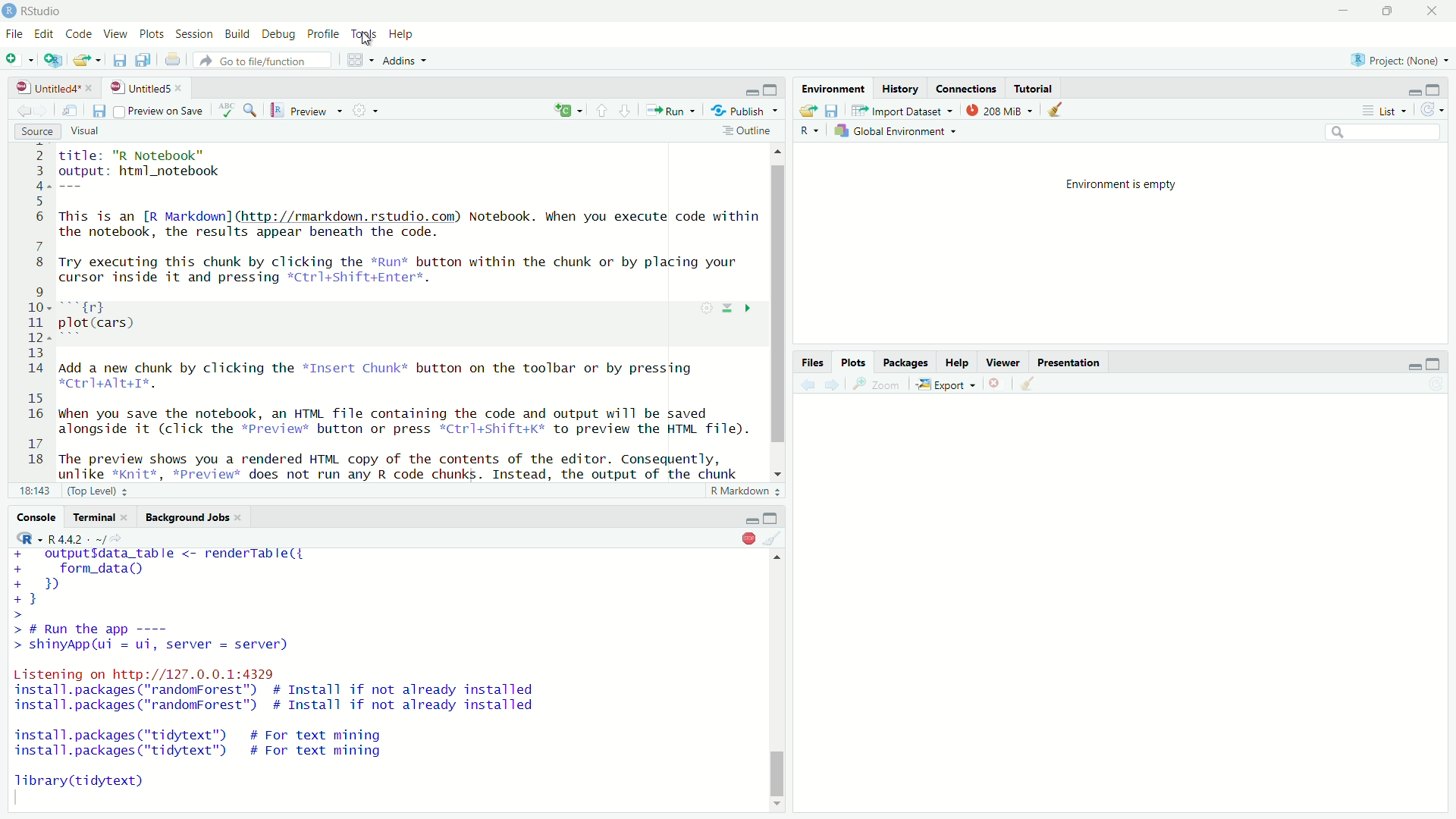 This screenshot has width=1456, height=819. Describe the element at coordinates (158, 111) in the screenshot. I see `Preview on save` at that location.